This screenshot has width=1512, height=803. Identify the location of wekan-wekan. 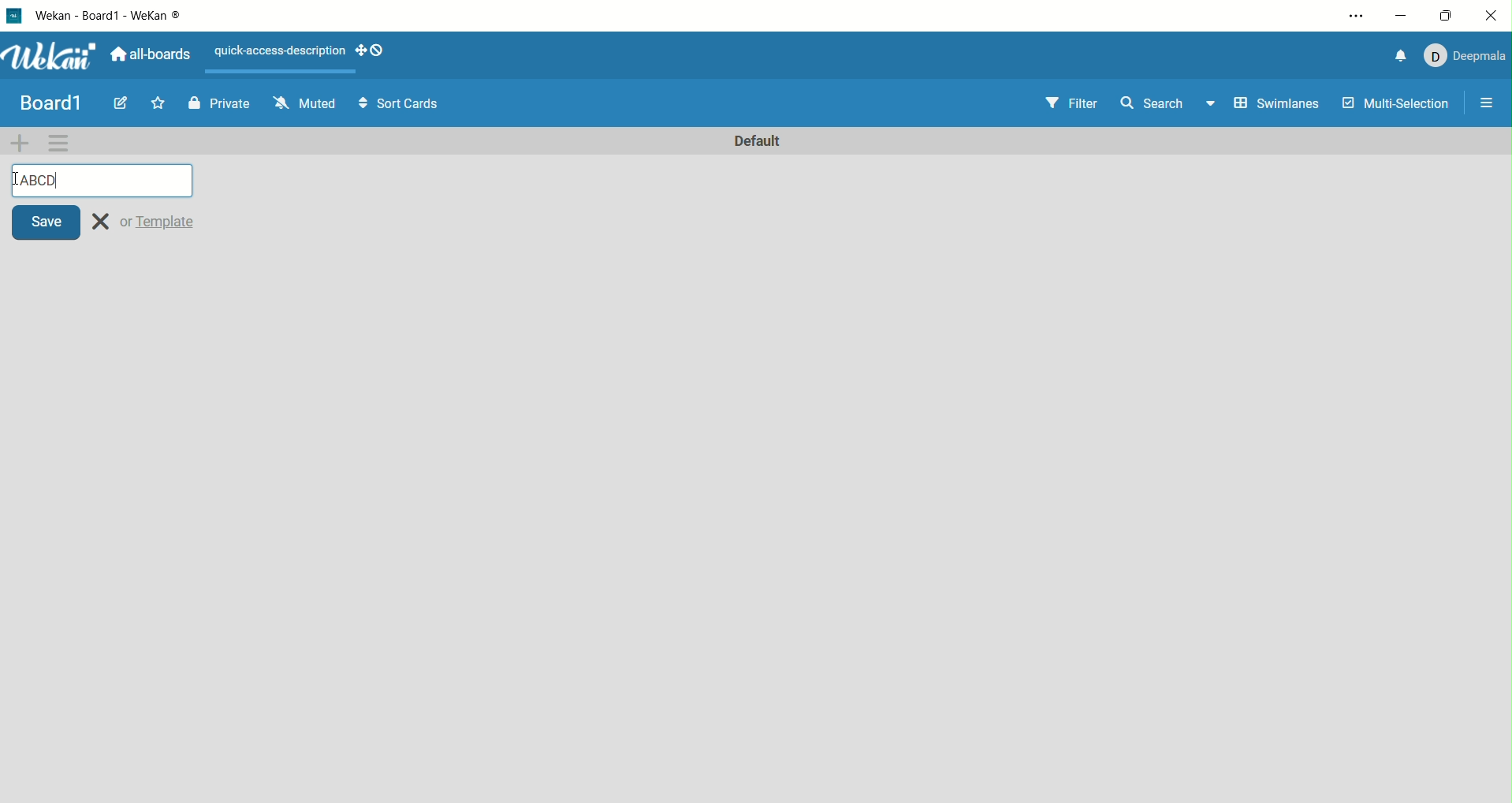
(120, 16).